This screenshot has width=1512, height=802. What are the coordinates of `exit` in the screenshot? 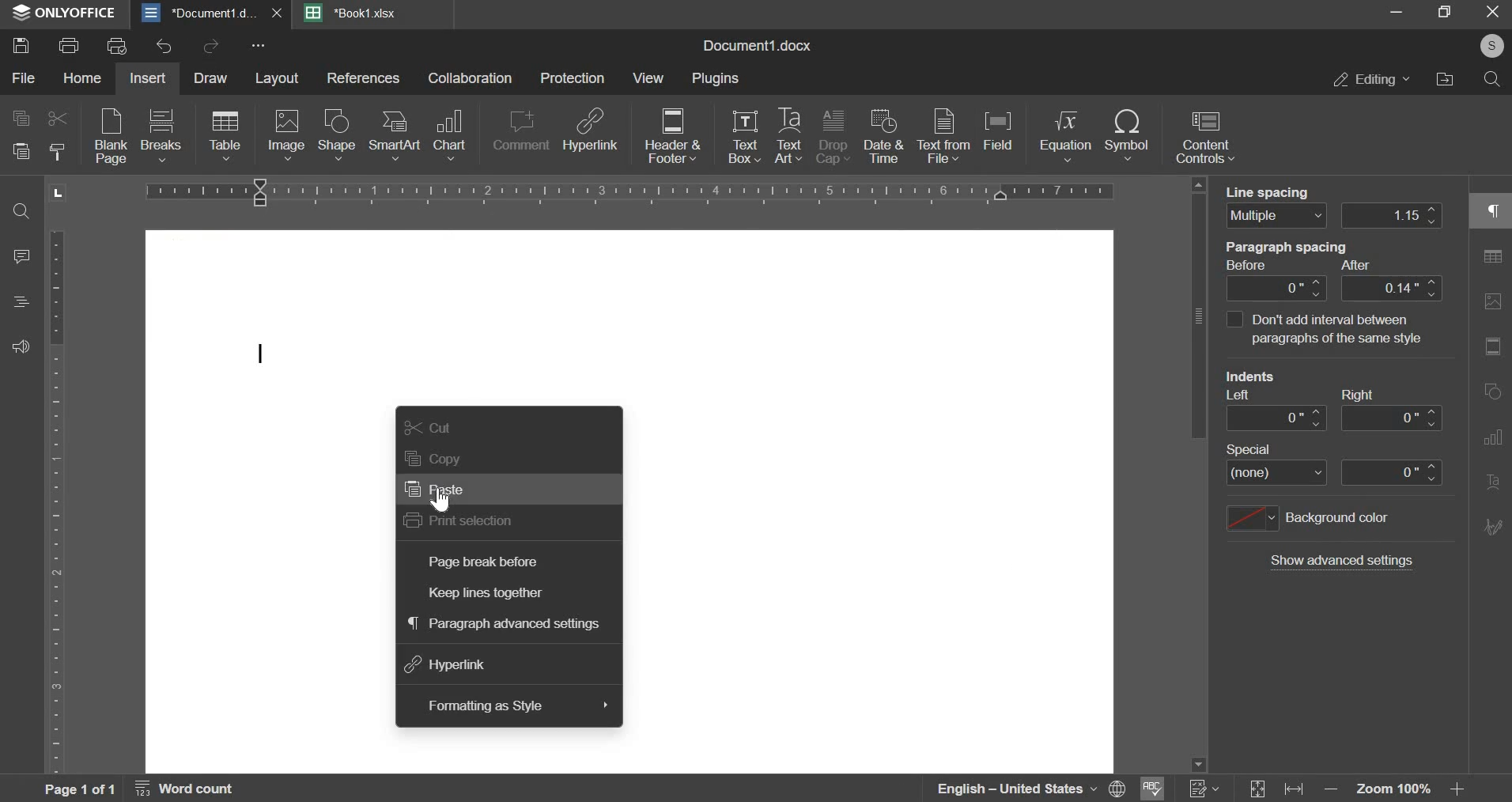 It's located at (1493, 13).